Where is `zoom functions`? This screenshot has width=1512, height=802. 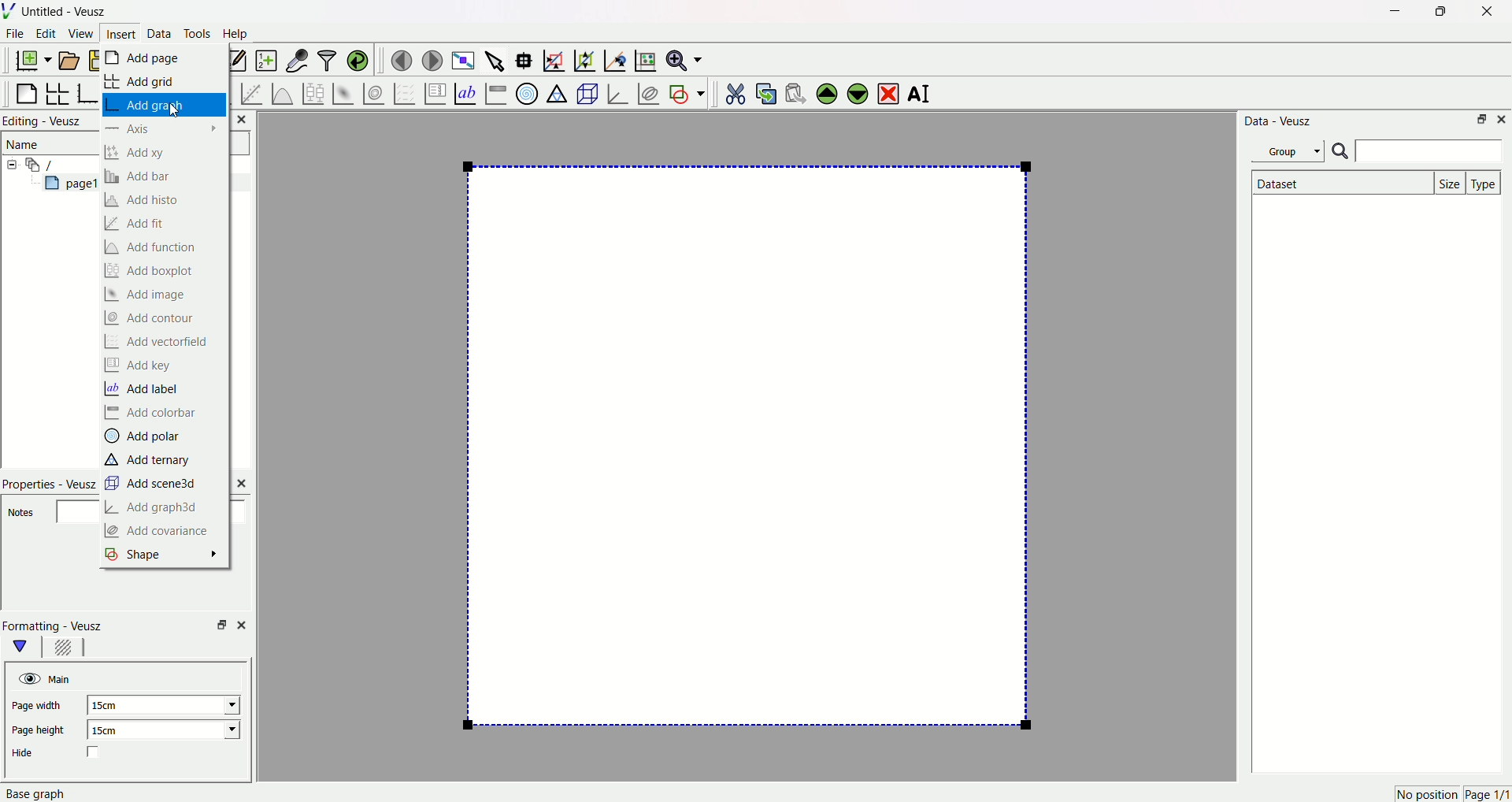 zoom functions is located at coordinates (684, 60).